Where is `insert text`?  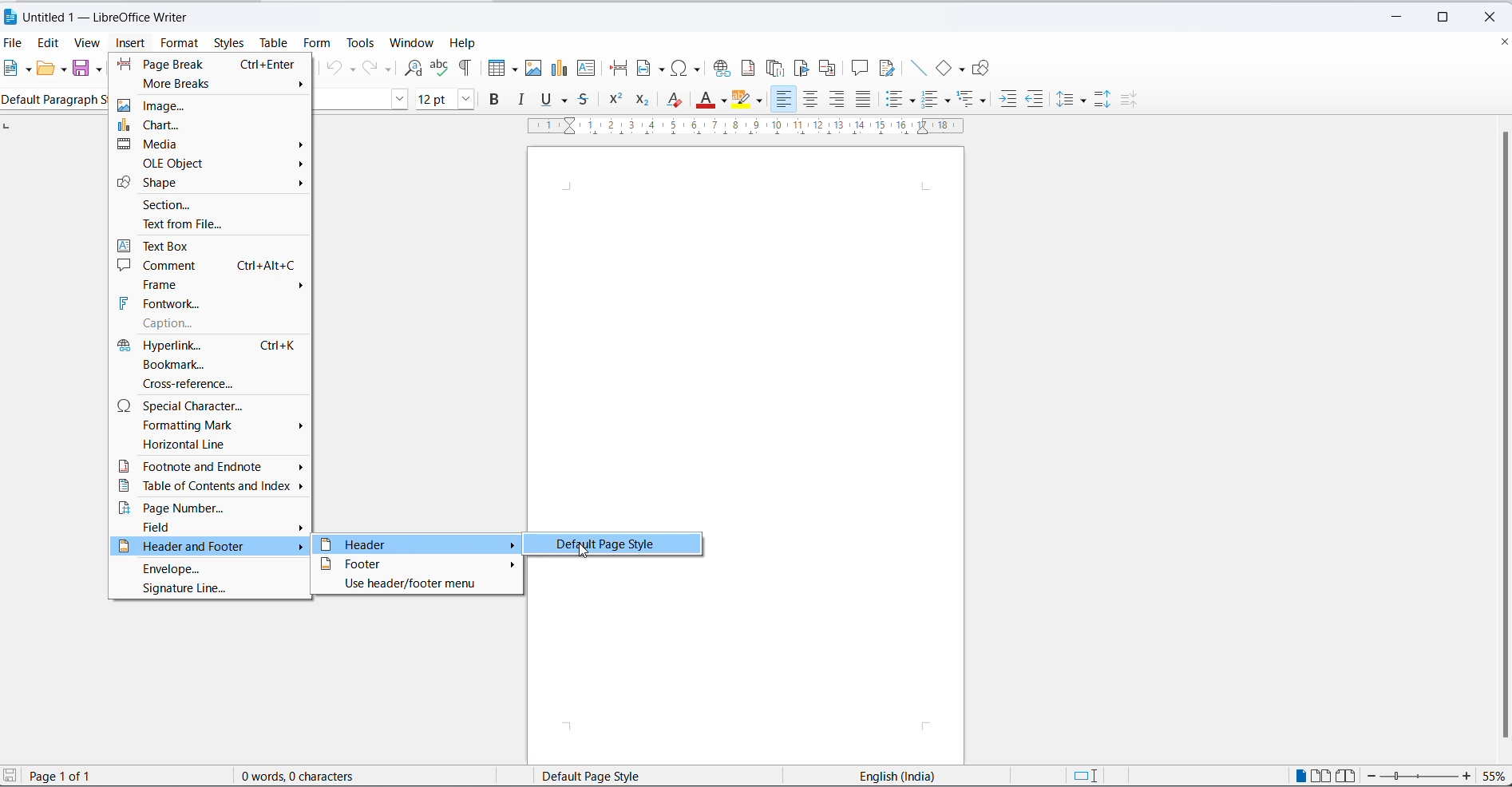
insert text is located at coordinates (594, 69).